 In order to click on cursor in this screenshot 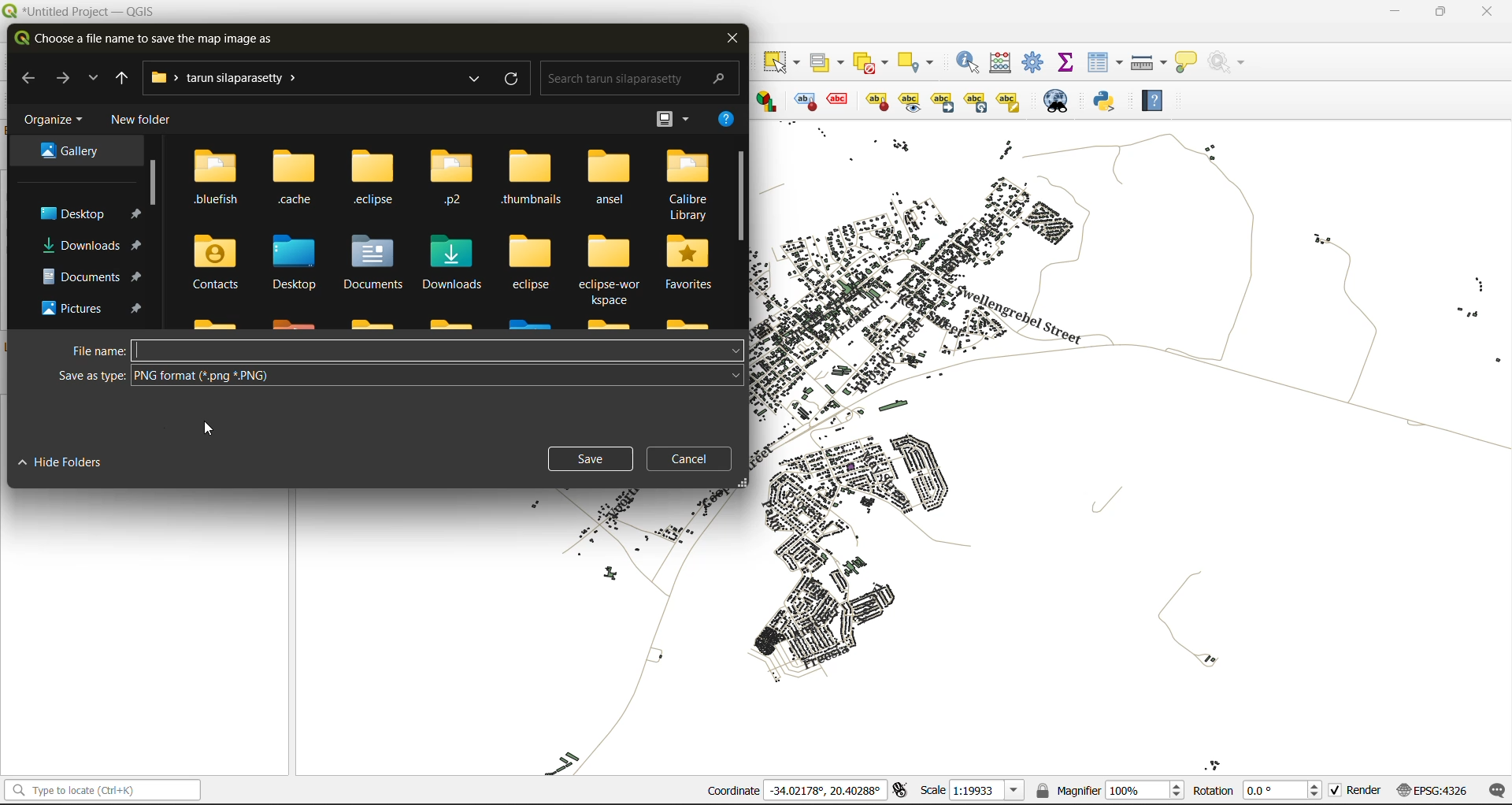, I will do `click(208, 430)`.